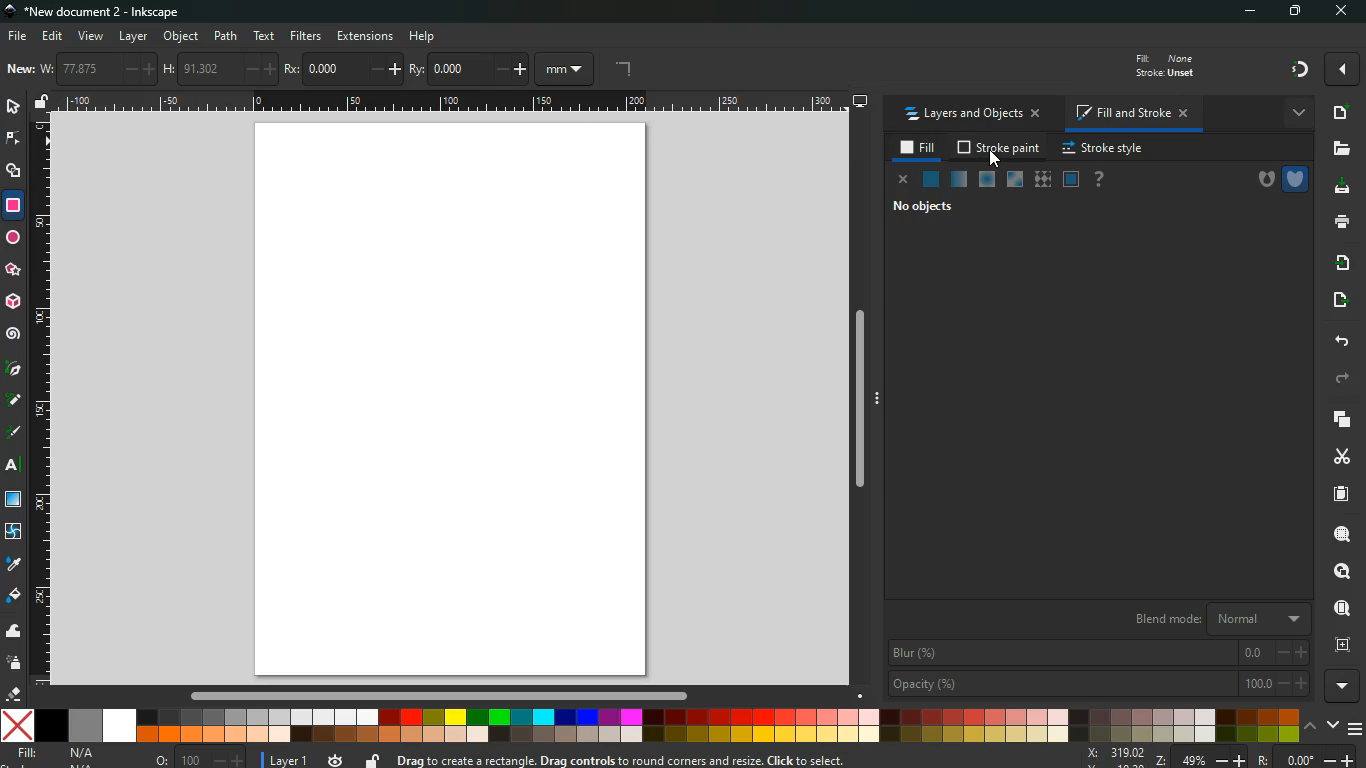 Image resolution: width=1366 pixels, height=768 pixels. I want to click on fill, so click(58, 757).